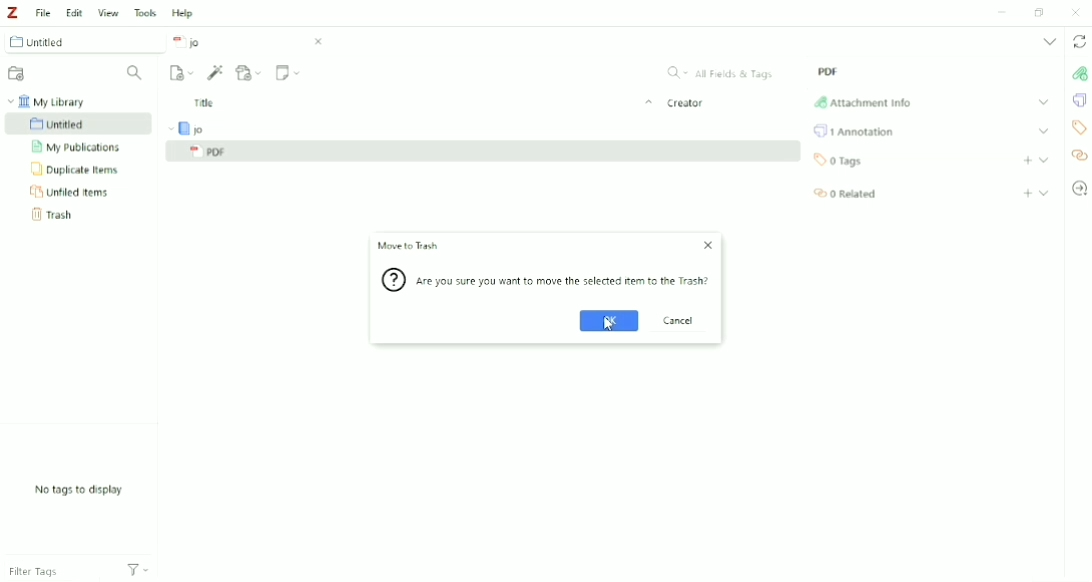 This screenshot has height=582, width=1092. Describe the element at coordinates (717, 240) in the screenshot. I see `Close` at that location.